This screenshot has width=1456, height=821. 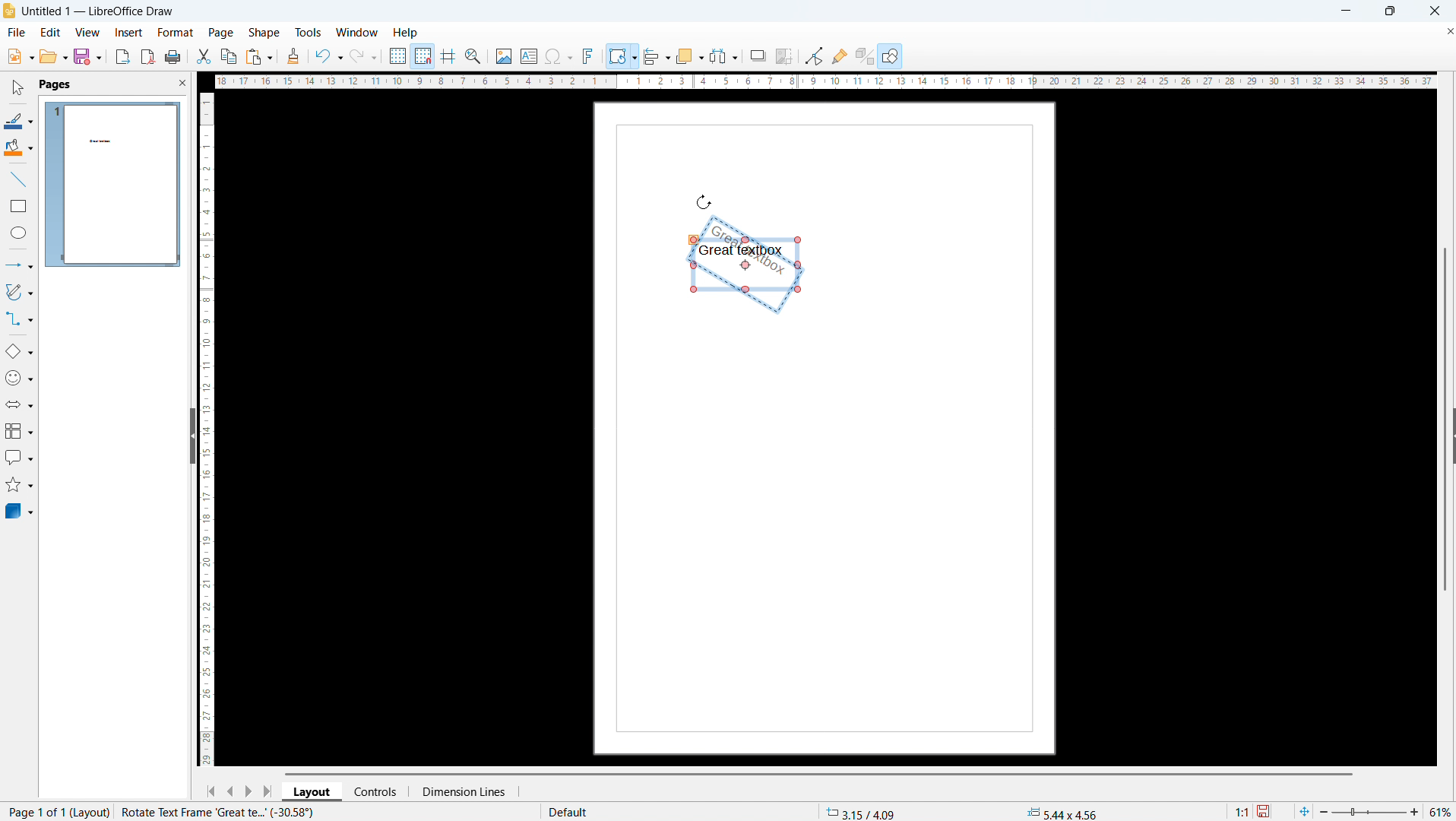 What do you see at coordinates (890, 57) in the screenshot?
I see `show draw functions` at bounding box center [890, 57].